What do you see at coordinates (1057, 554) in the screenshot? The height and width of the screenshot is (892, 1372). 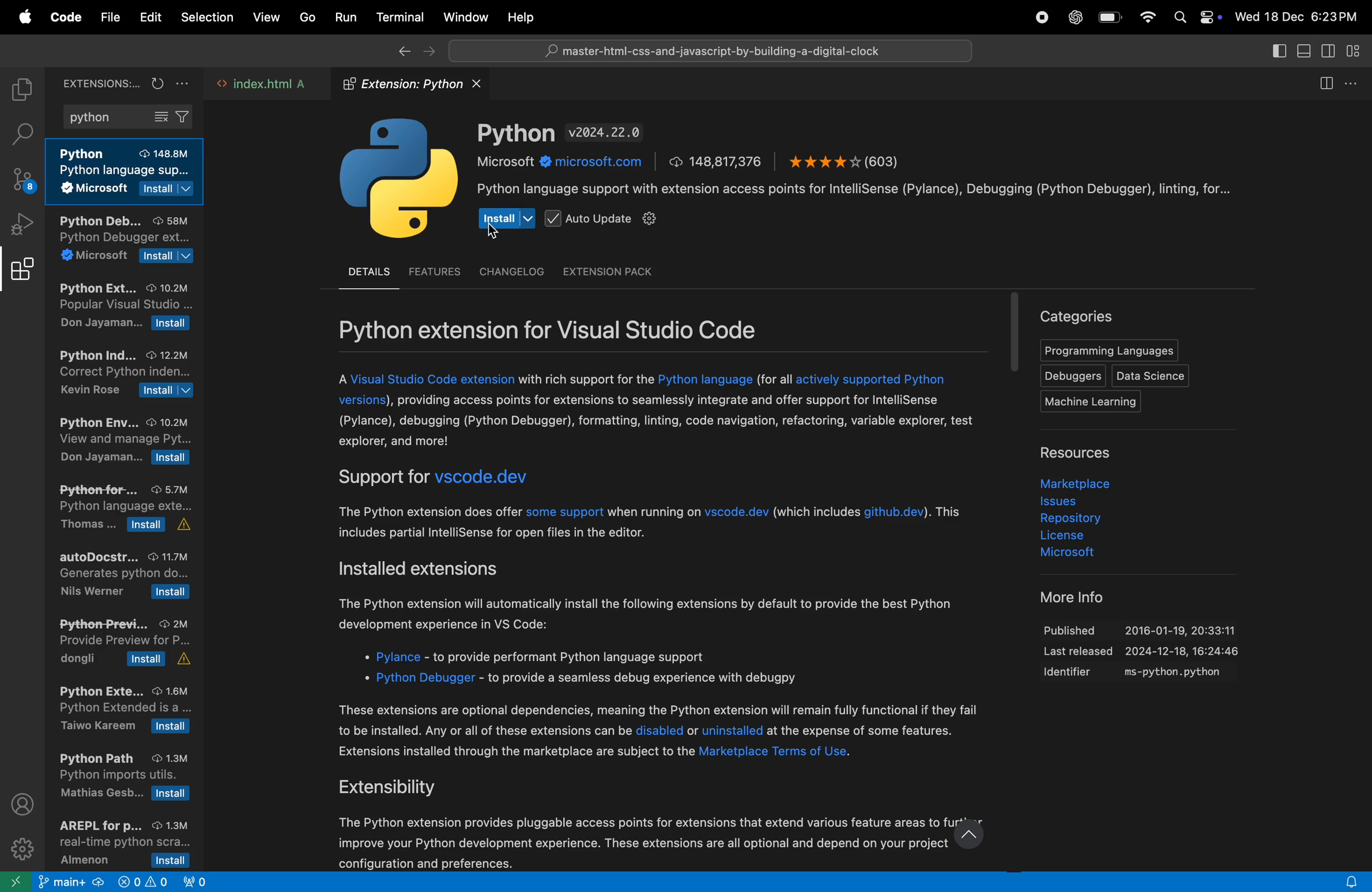 I see `micro soft` at bounding box center [1057, 554].